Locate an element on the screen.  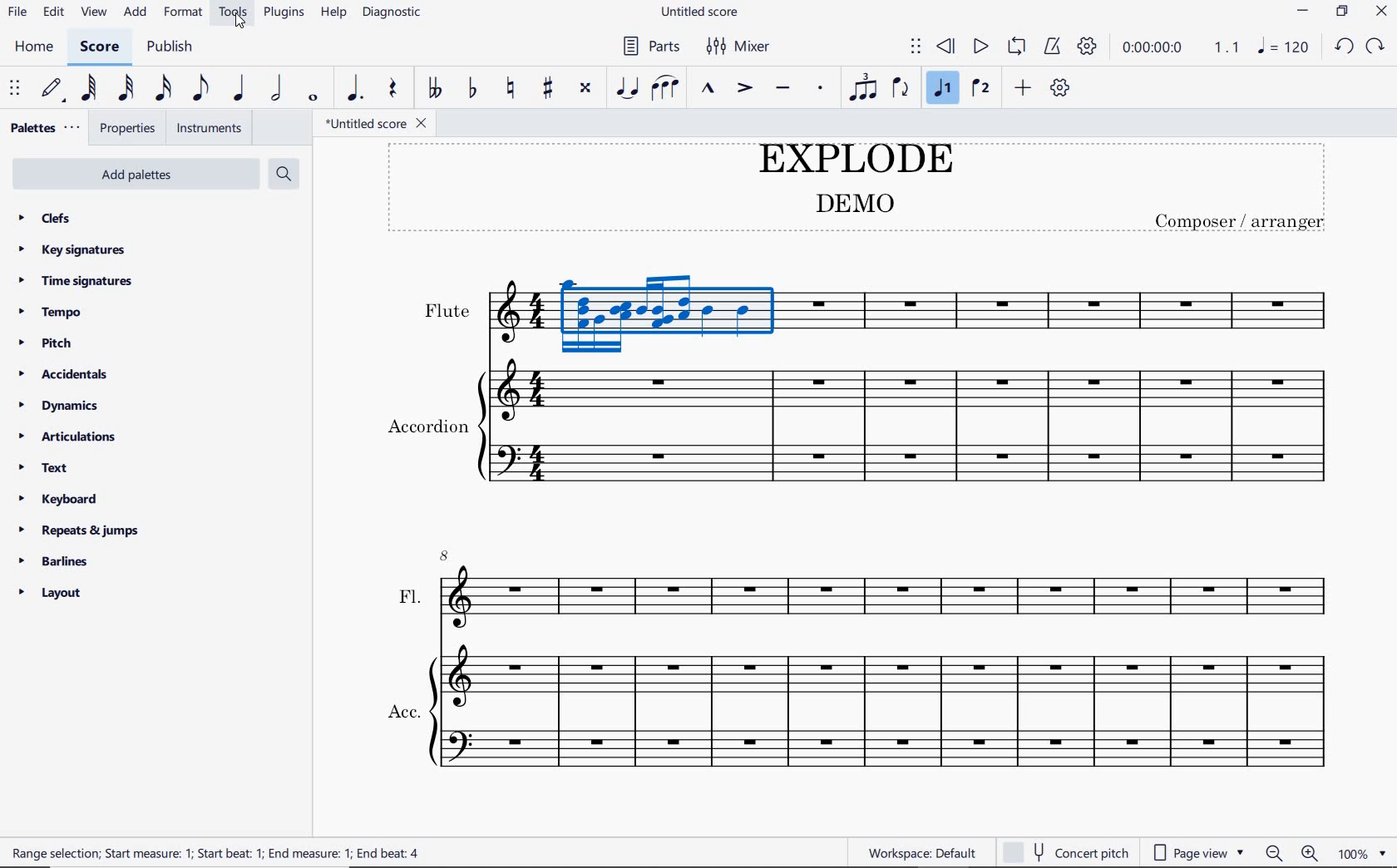
voice 1 is located at coordinates (943, 89).